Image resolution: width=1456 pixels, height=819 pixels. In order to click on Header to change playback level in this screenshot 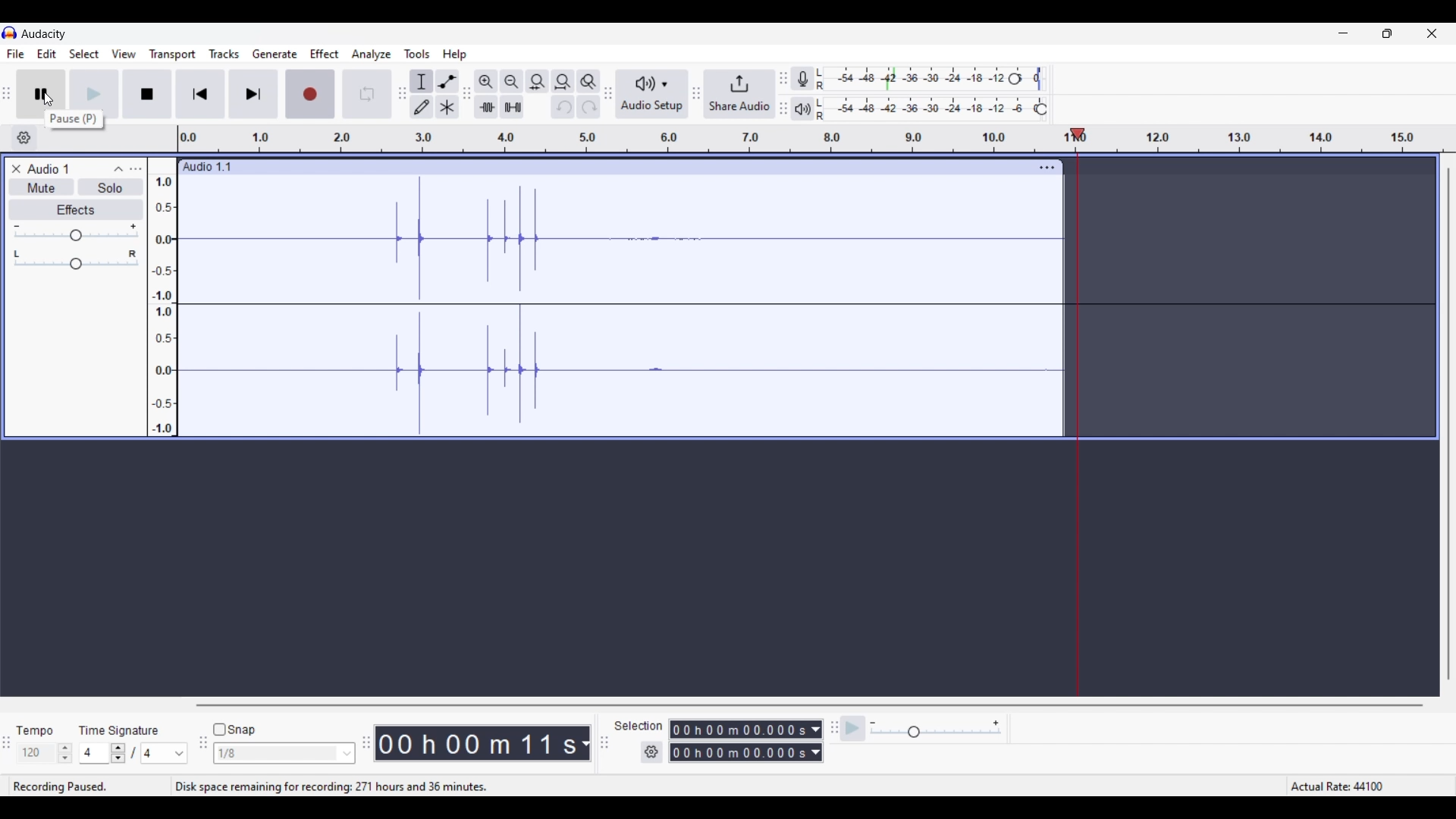, I will do `click(1050, 108)`.